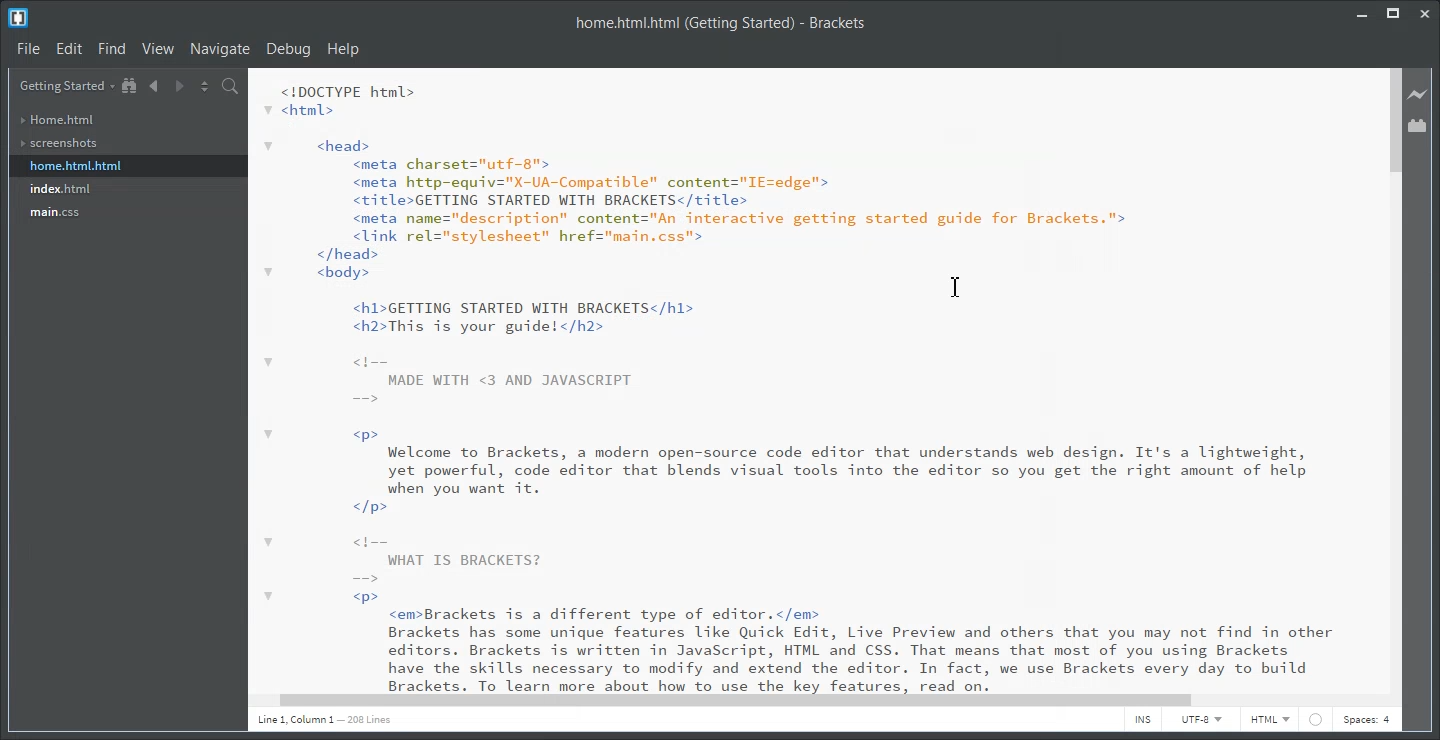 This screenshot has height=740, width=1440. I want to click on Navigate Forward, so click(178, 85).